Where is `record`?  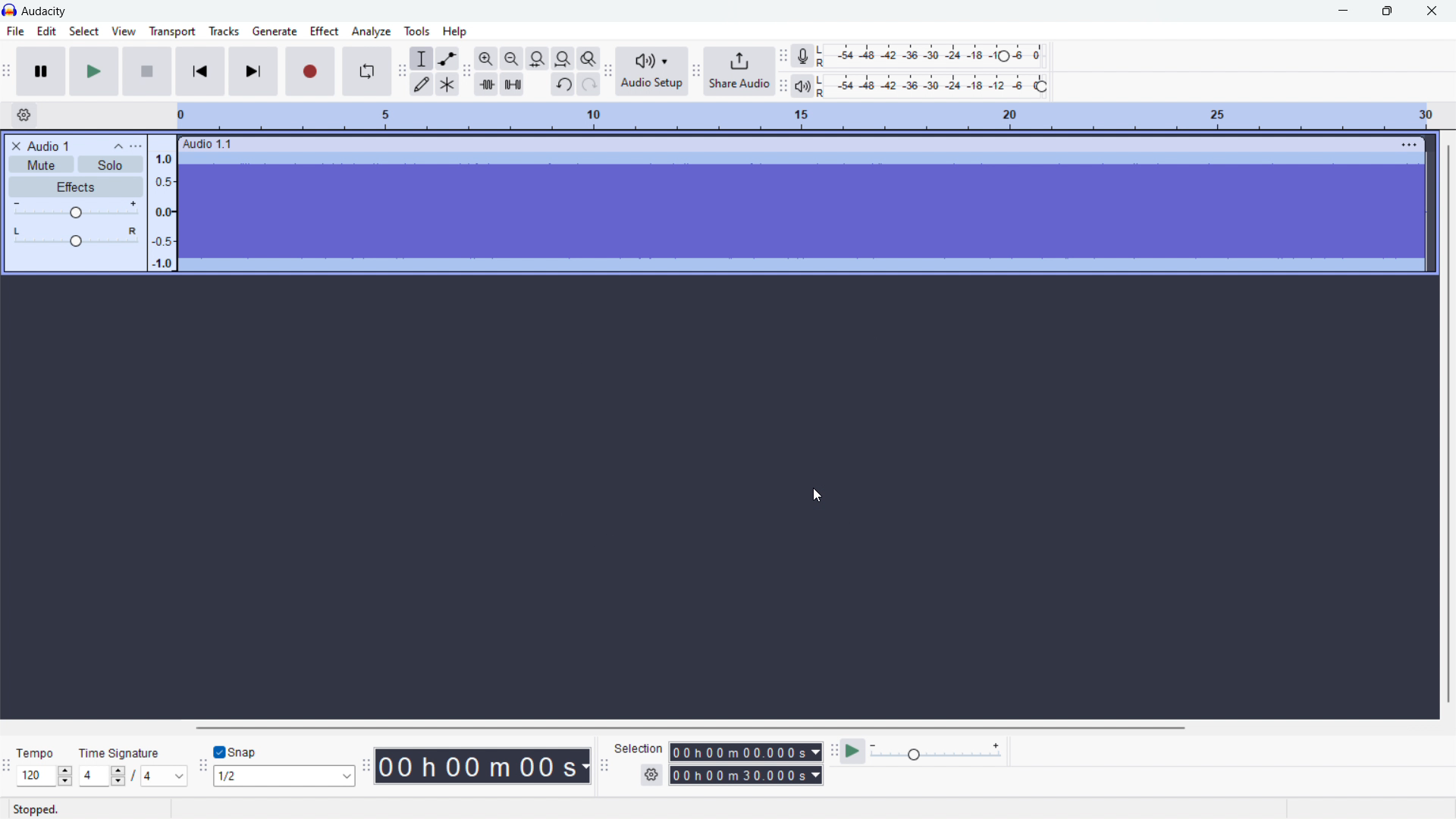 record is located at coordinates (310, 71).